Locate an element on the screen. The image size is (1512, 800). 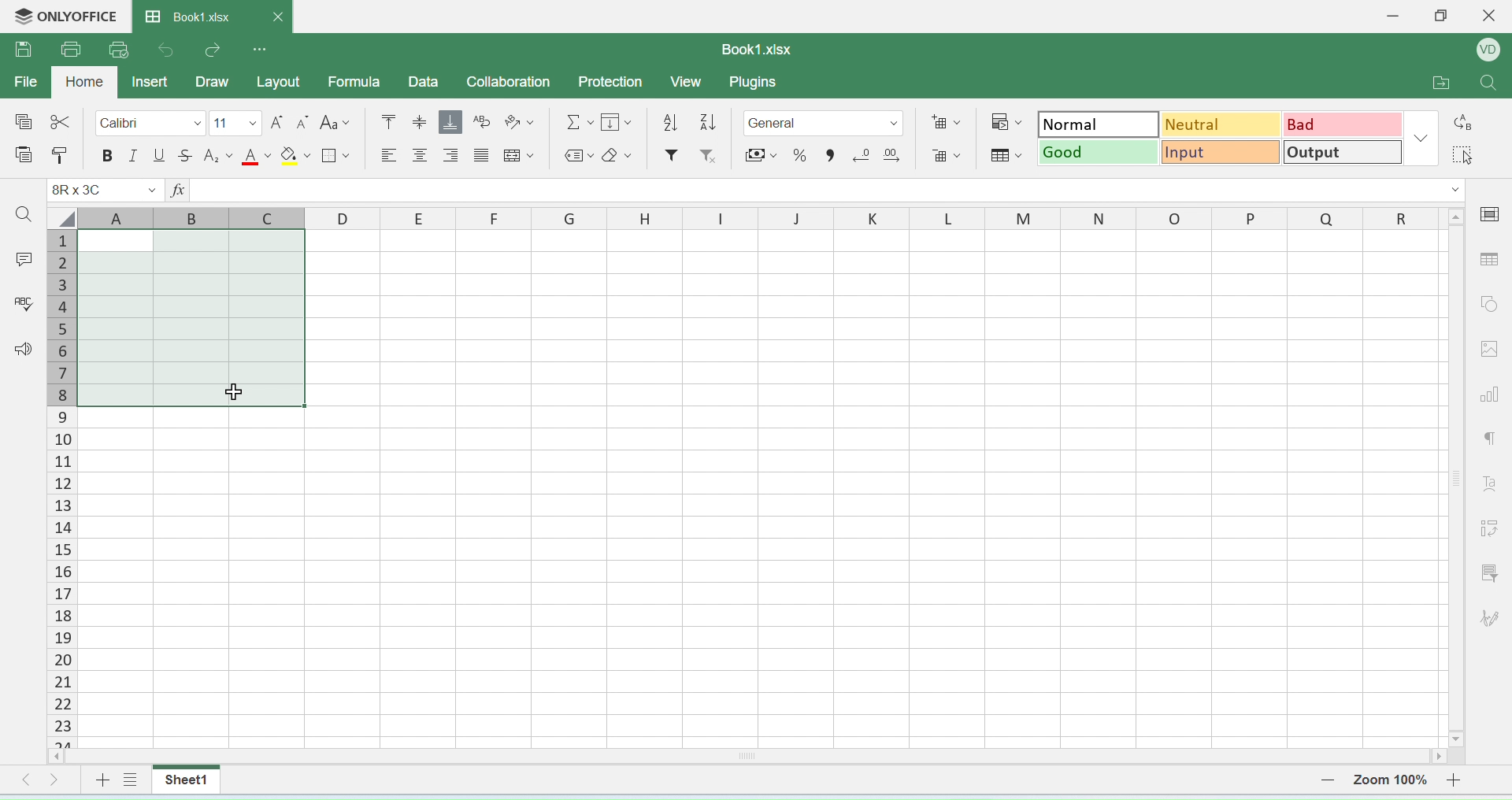
move right is located at coordinates (55, 782).